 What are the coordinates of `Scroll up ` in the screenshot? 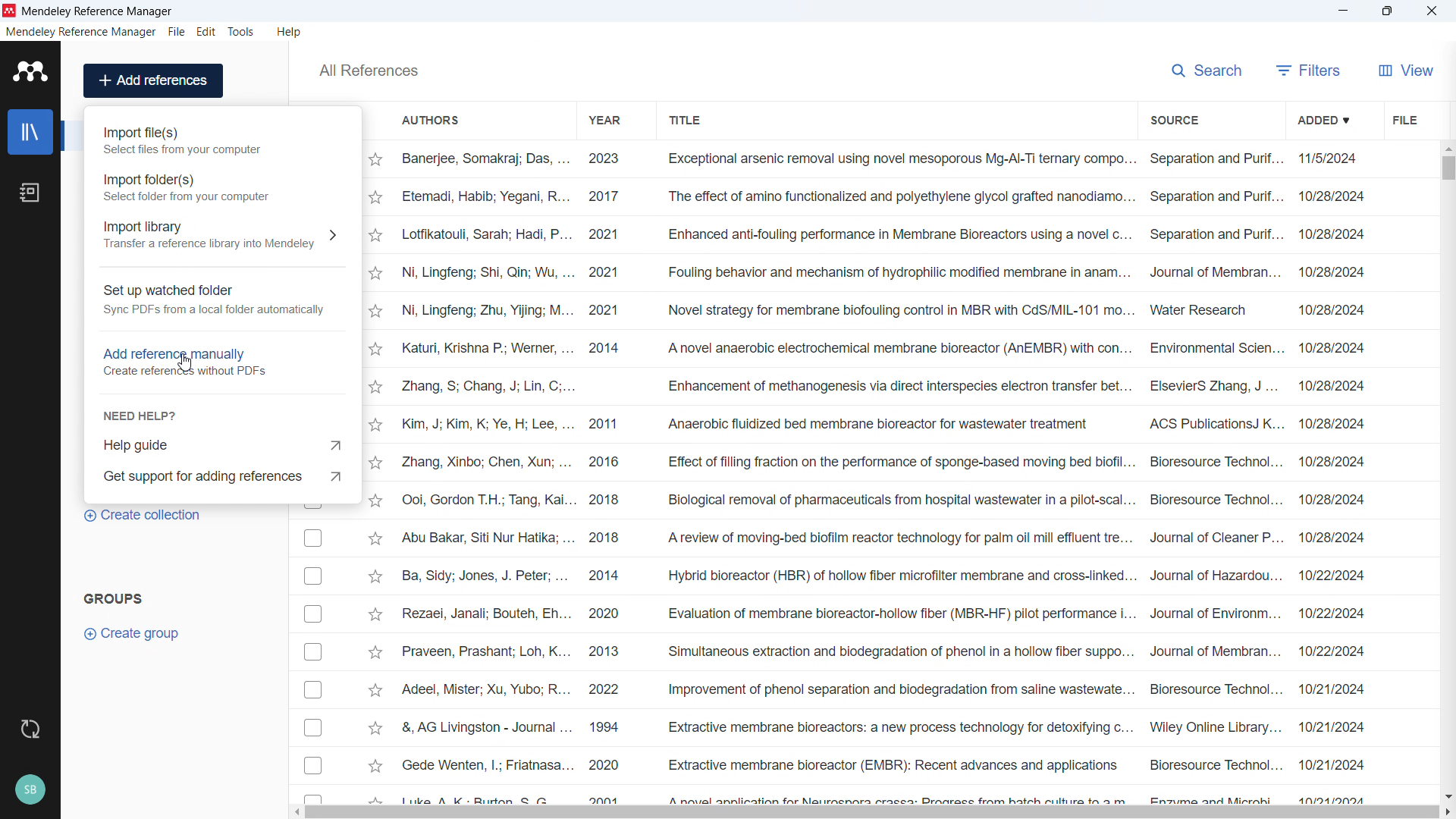 It's located at (1447, 147).